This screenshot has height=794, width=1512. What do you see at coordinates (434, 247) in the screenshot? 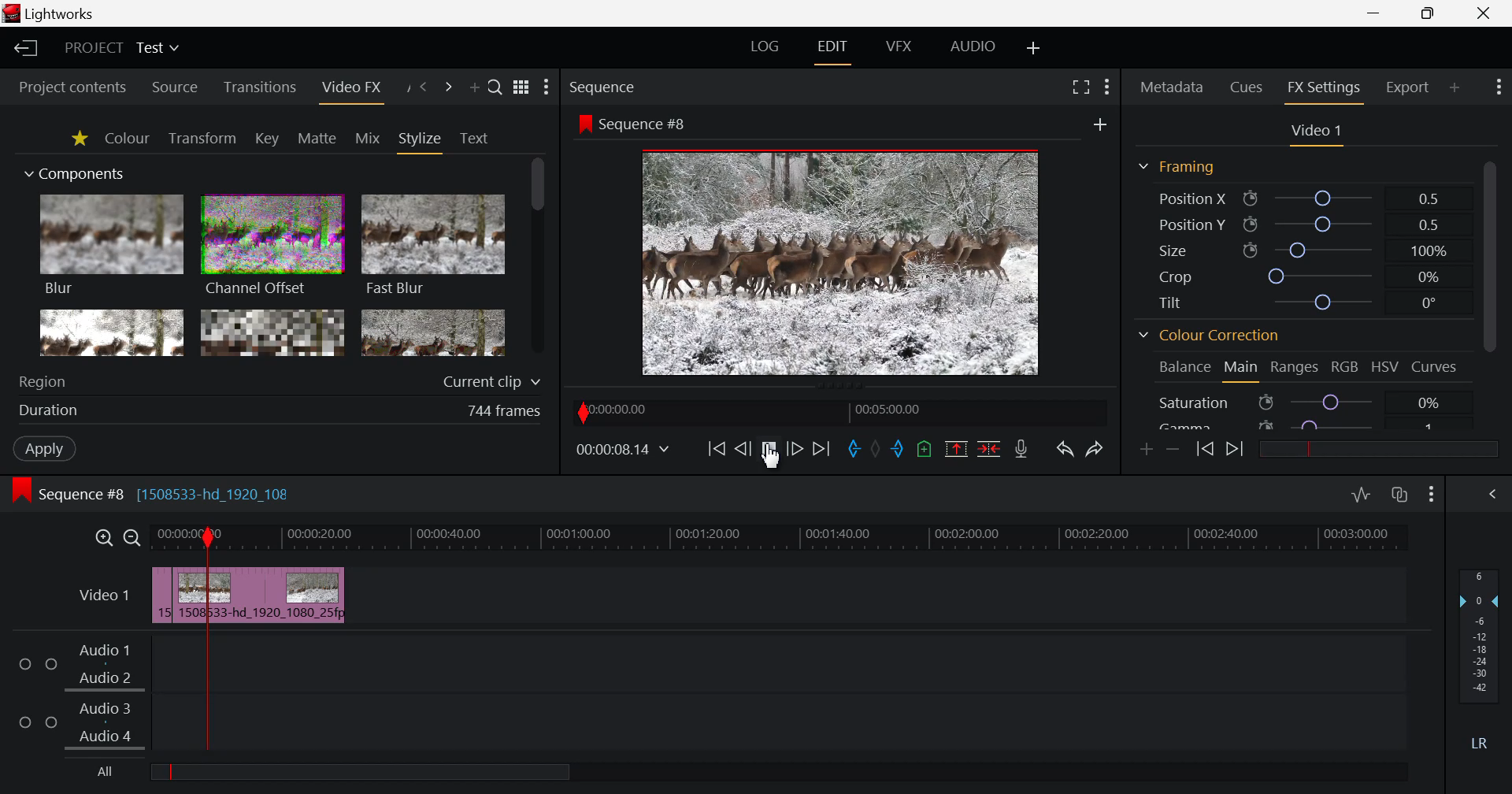
I see `Fast Blur` at bounding box center [434, 247].